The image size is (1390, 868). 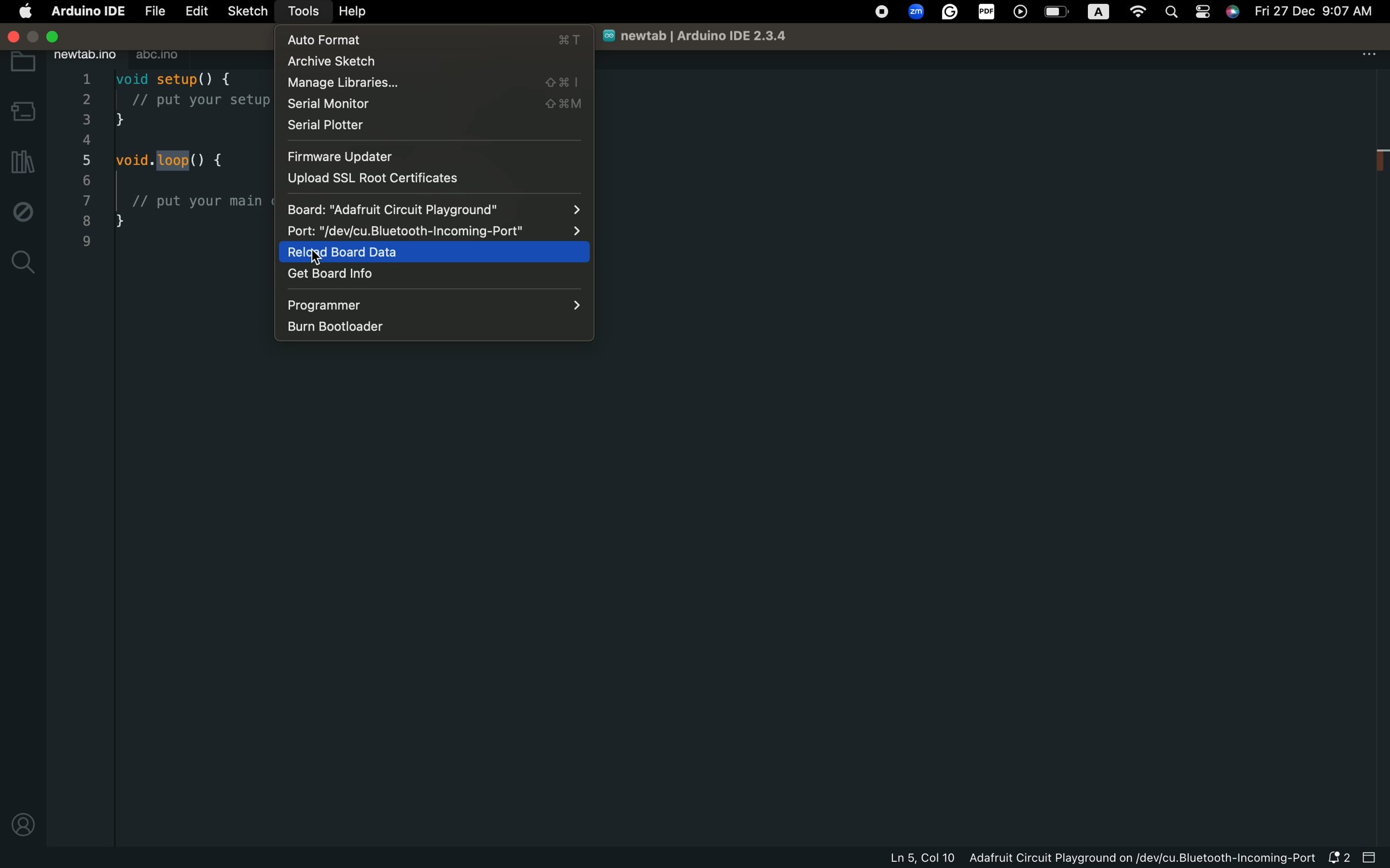 What do you see at coordinates (317, 258) in the screenshot?
I see `cursor` at bounding box center [317, 258].